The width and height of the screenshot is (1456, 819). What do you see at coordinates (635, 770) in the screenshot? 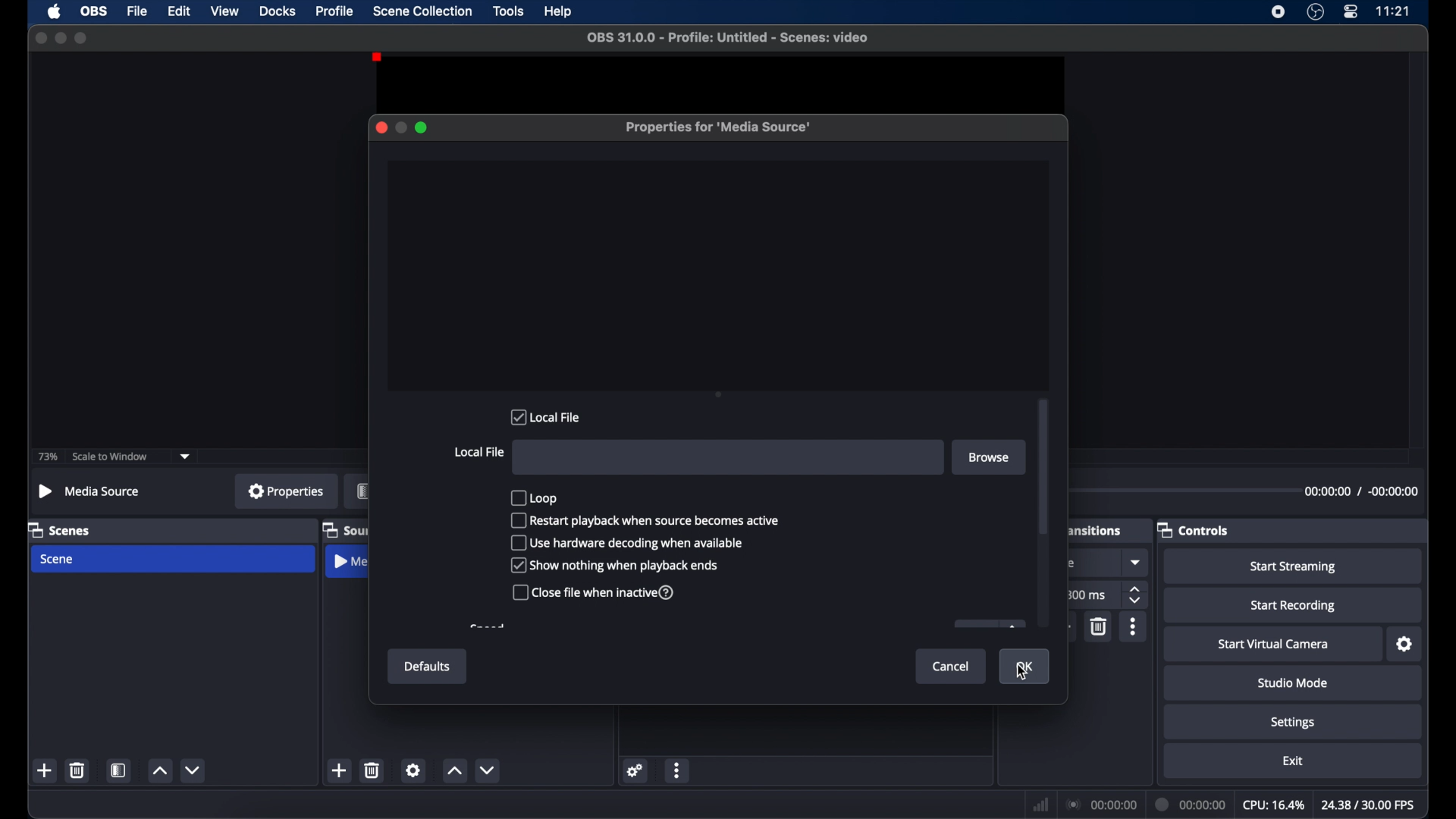
I see `settings` at bounding box center [635, 770].